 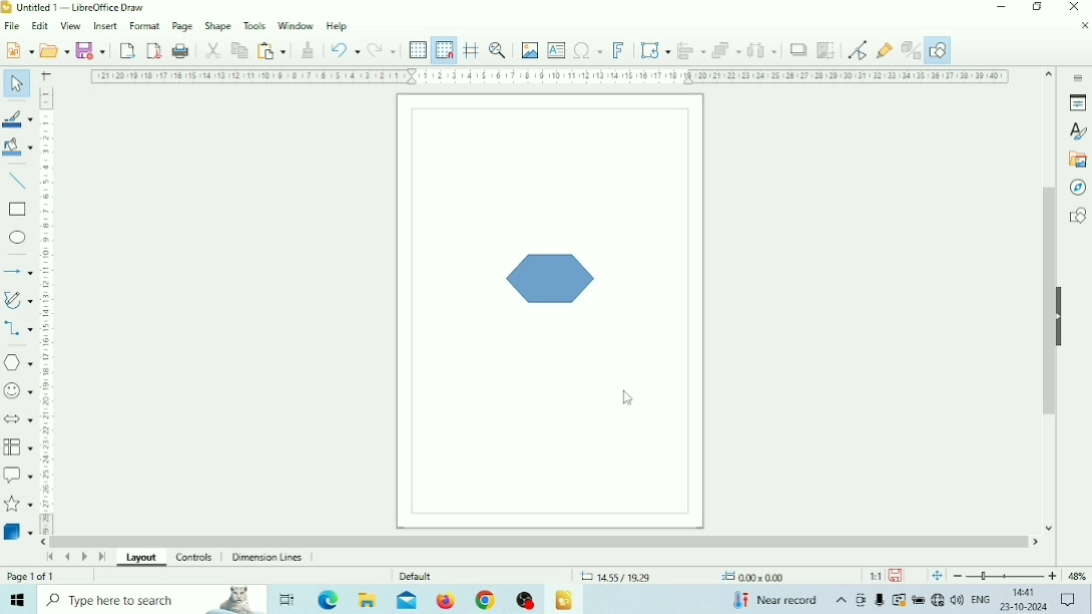 I want to click on Scroll to previous page, so click(x=67, y=557).